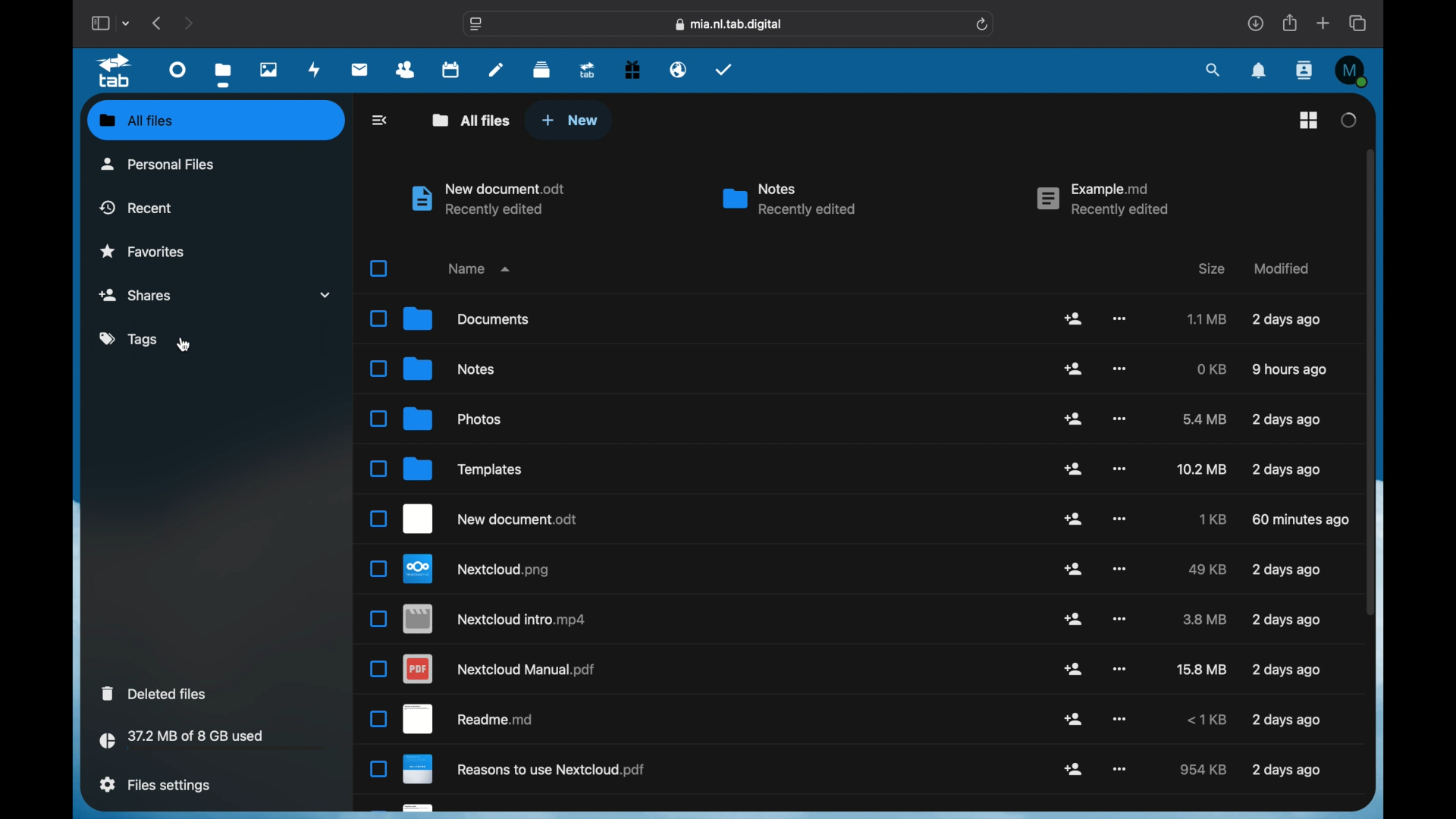 This screenshot has width=1456, height=819. Describe the element at coordinates (158, 165) in the screenshot. I see `personal files` at that location.